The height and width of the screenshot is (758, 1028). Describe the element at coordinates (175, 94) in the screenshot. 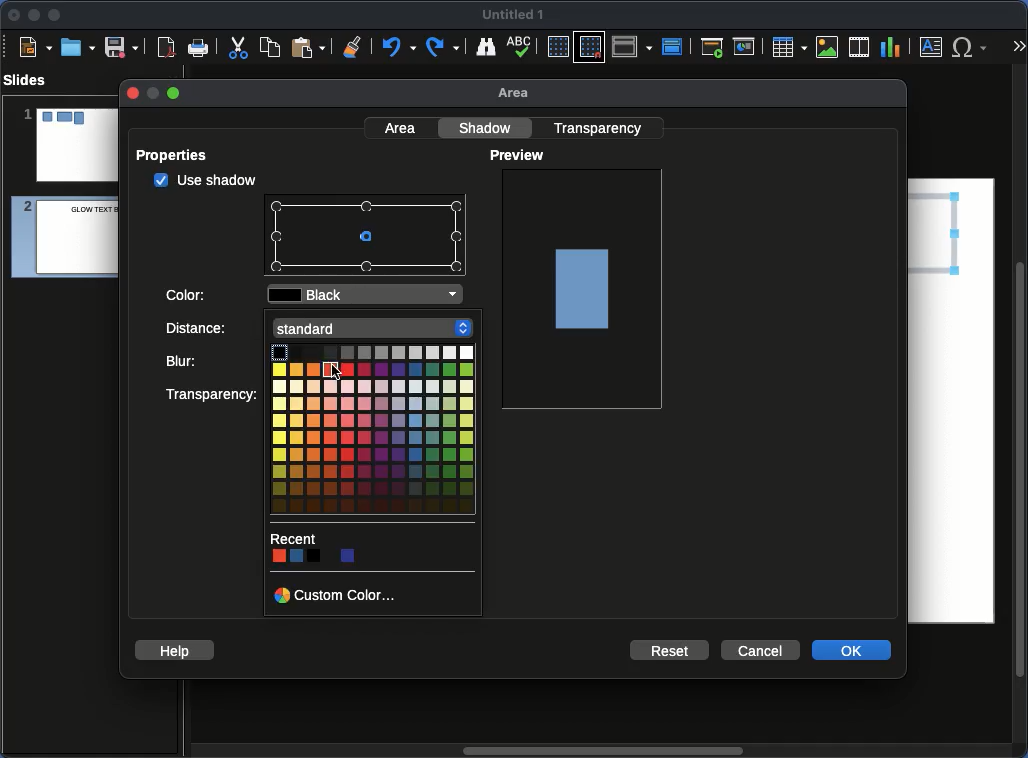

I see `maximize` at that location.